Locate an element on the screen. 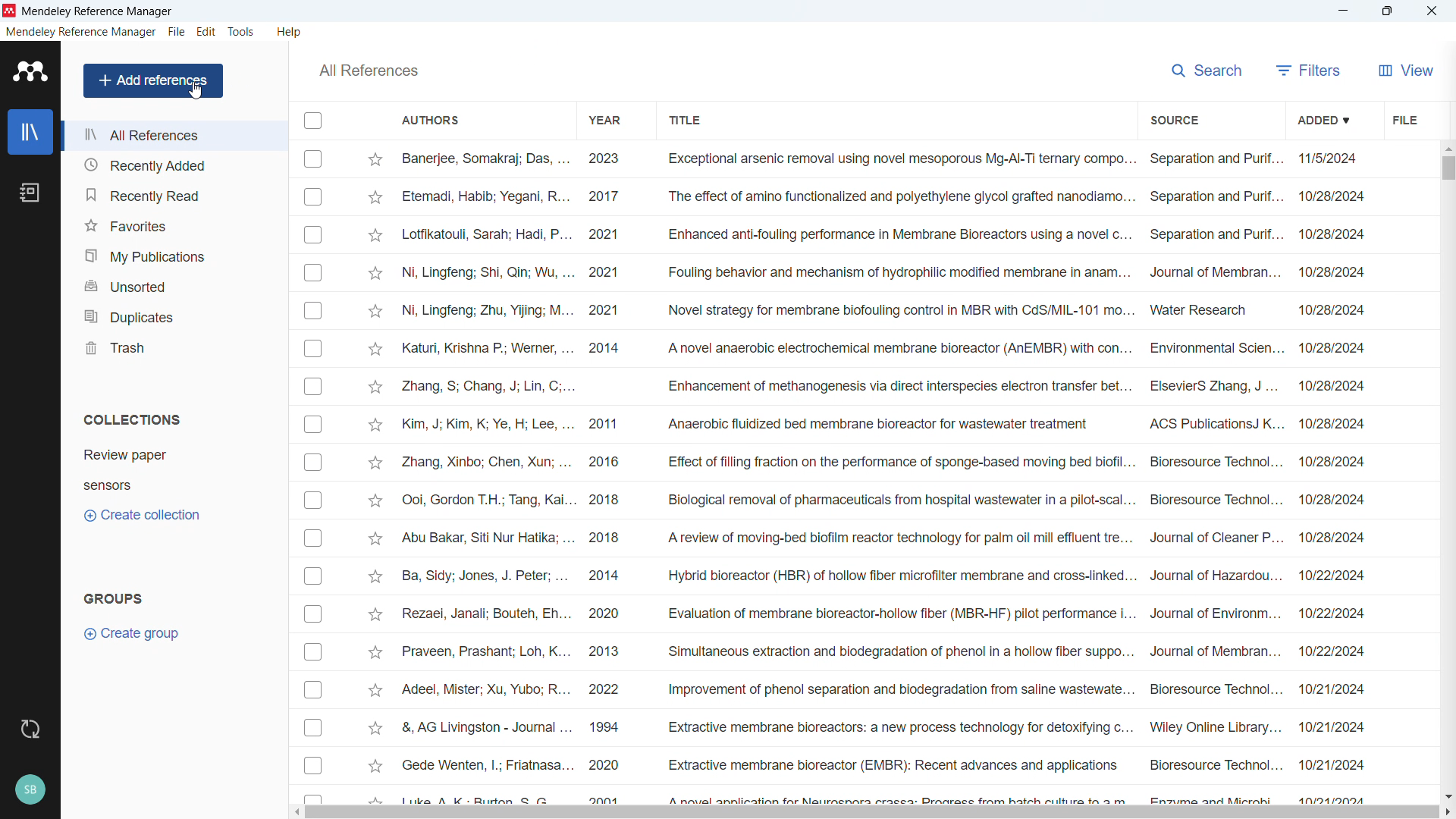 Image resolution: width=1456 pixels, height=819 pixels. search  is located at coordinates (1209, 68).